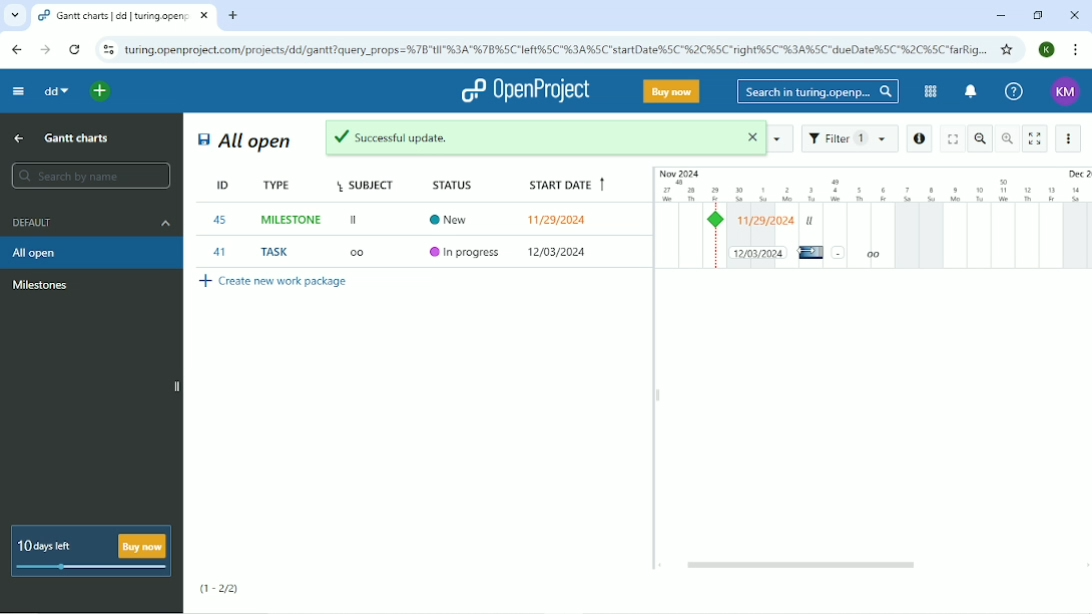 The image size is (1092, 614). What do you see at coordinates (235, 15) in the screenshot?
I see `New tab` at bounding box center [235, 15].